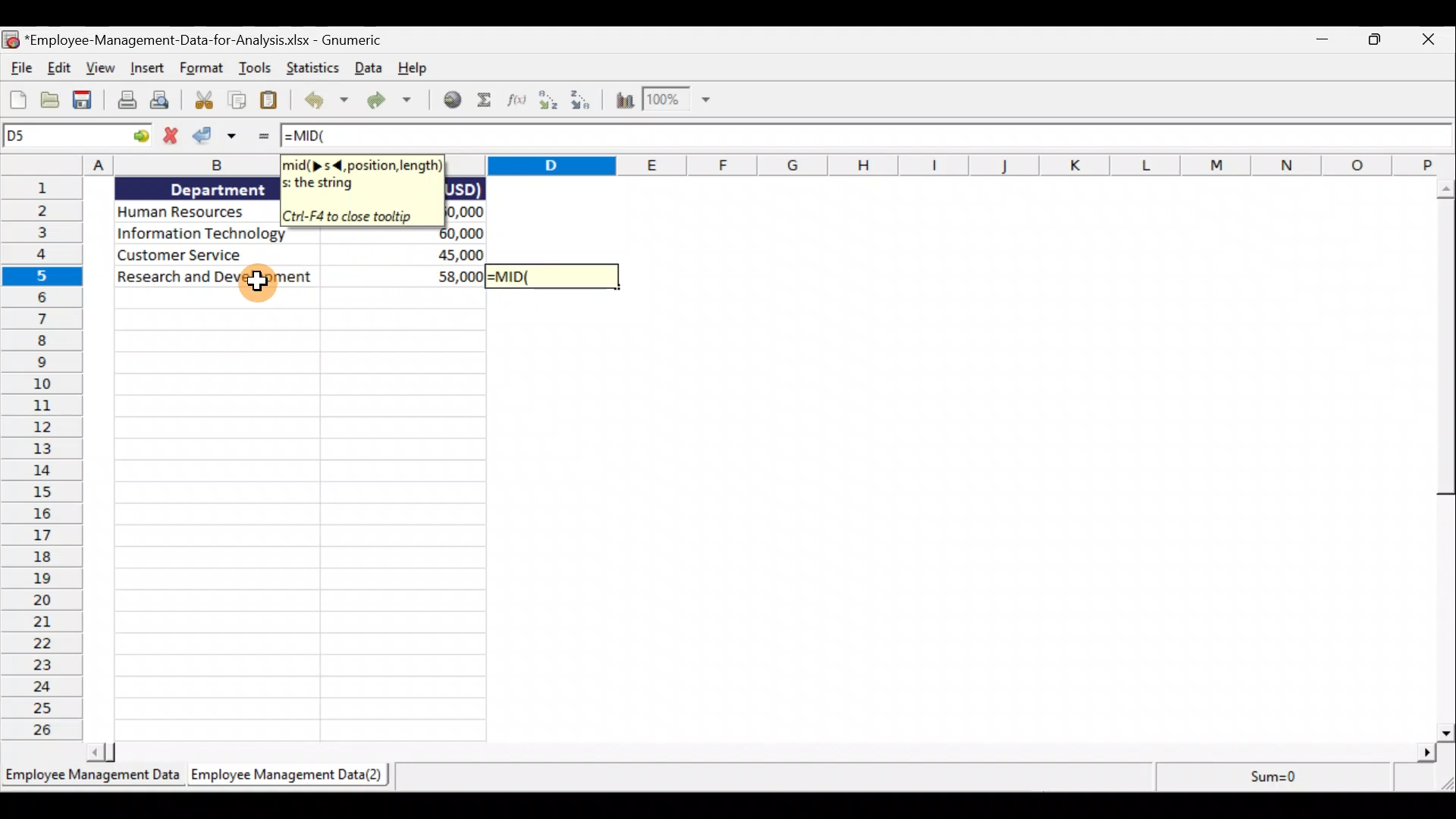  What do you see at coordinates (1326, 42) in the screenshot?
I see `Minimise` at bounding box center [1326, 42].